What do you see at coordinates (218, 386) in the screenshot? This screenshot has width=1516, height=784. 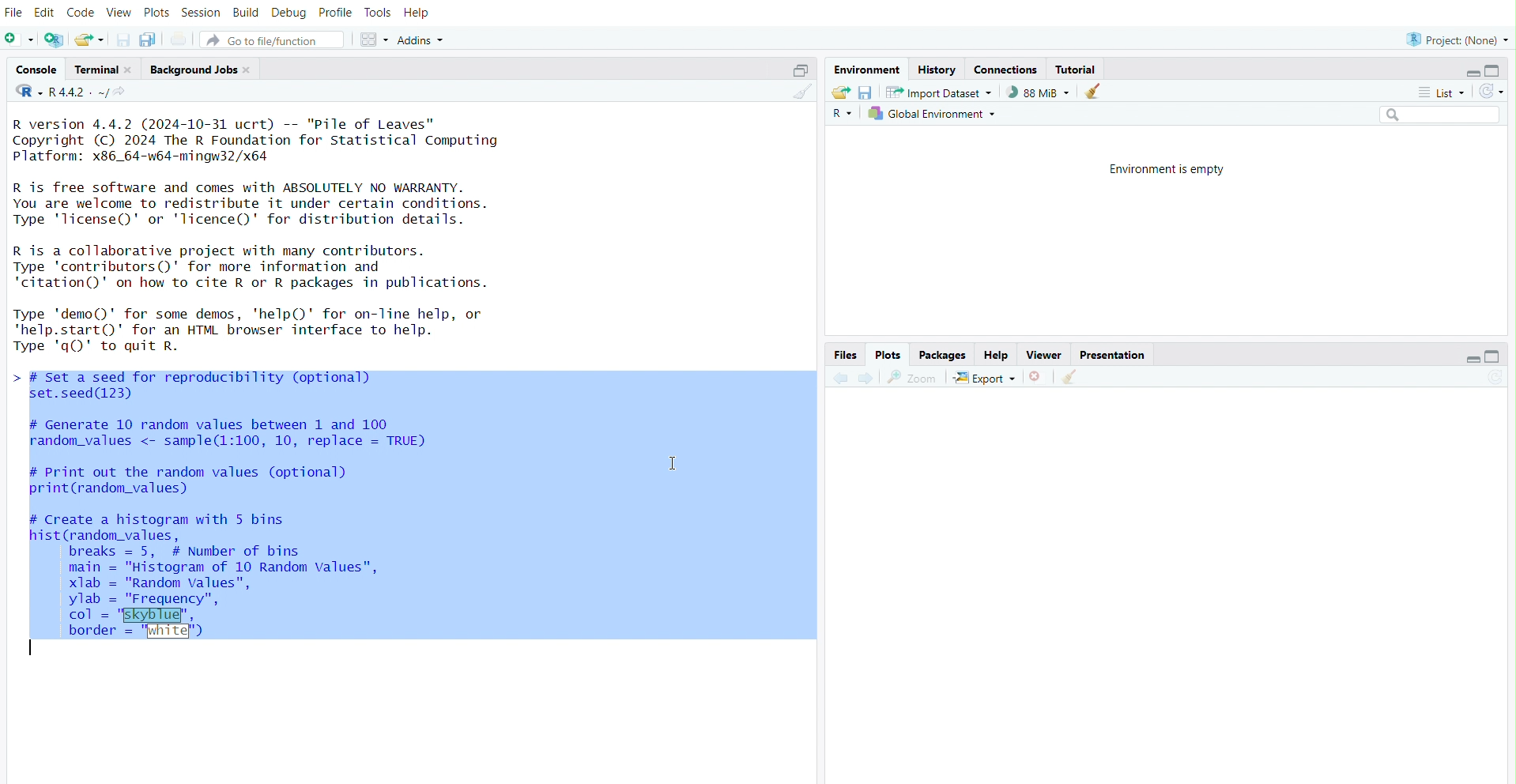 I see `code to set a speed` at bounding box center [218, 386].